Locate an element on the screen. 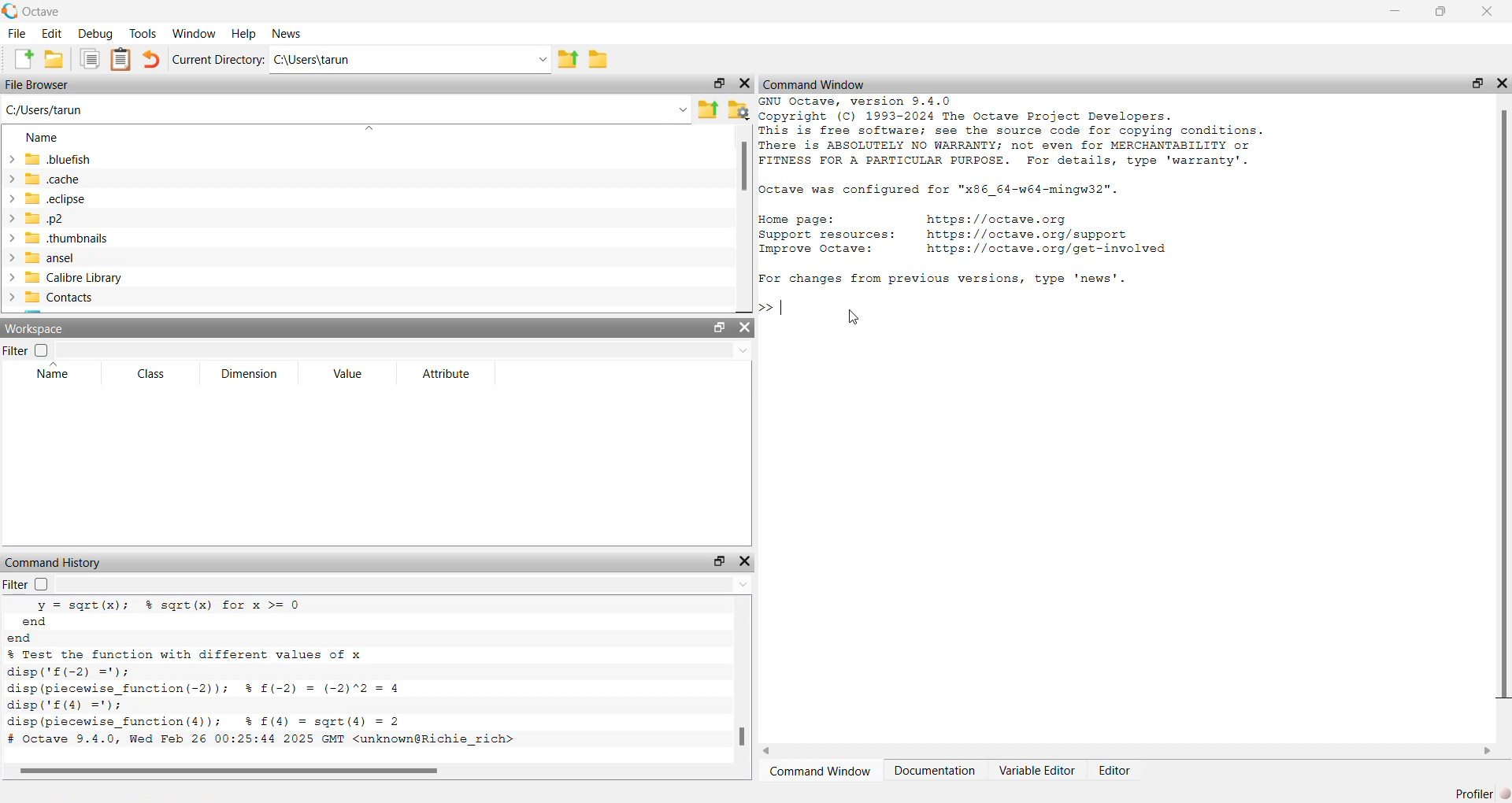  > eclipse is located at coordinates (48, 200).